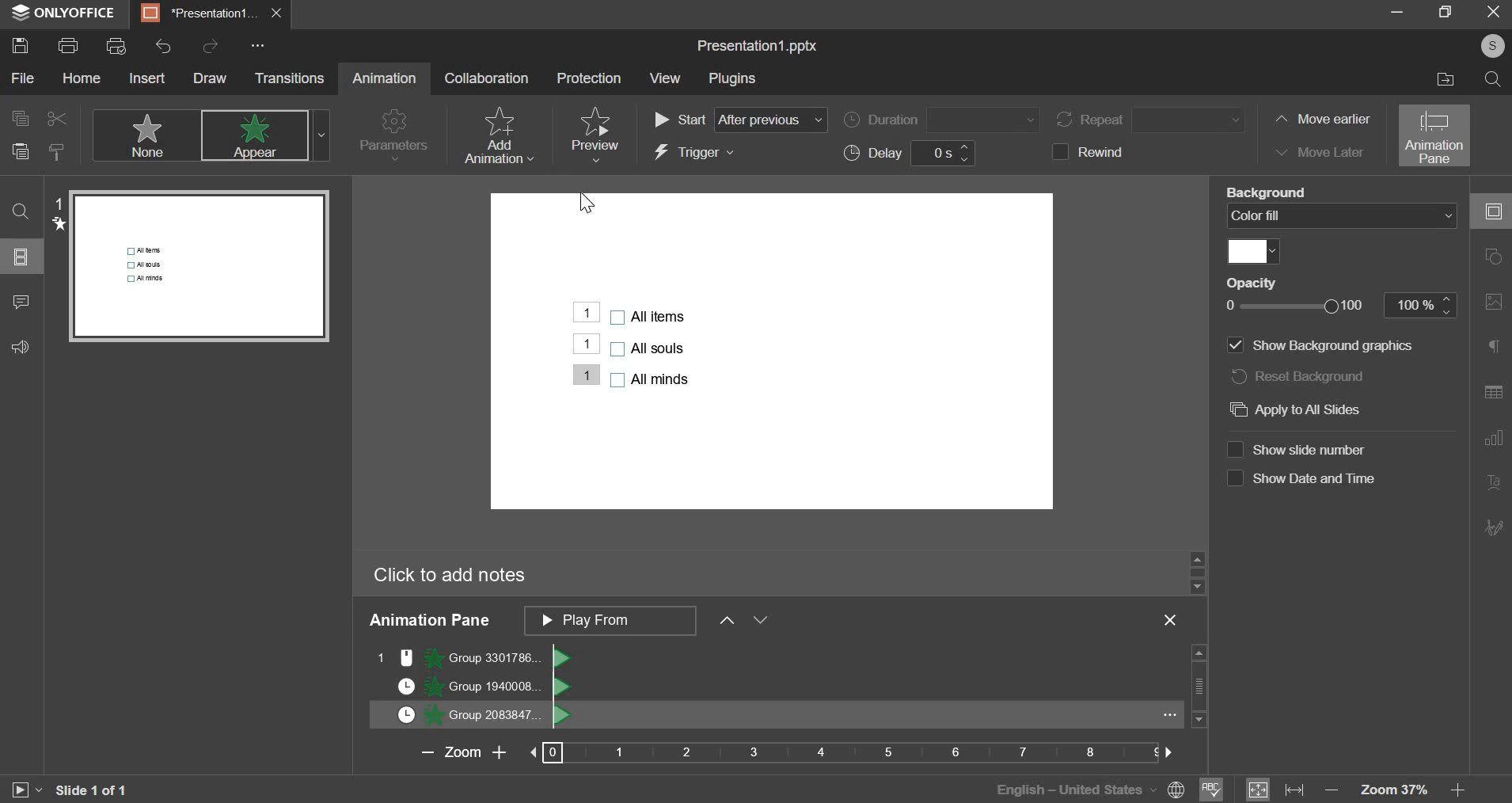 Image resolution: width=1512 pixels, height=803 pixels. Describe the element at coordinates (695, 154) in the screenshot. I see `trigger` at that location.